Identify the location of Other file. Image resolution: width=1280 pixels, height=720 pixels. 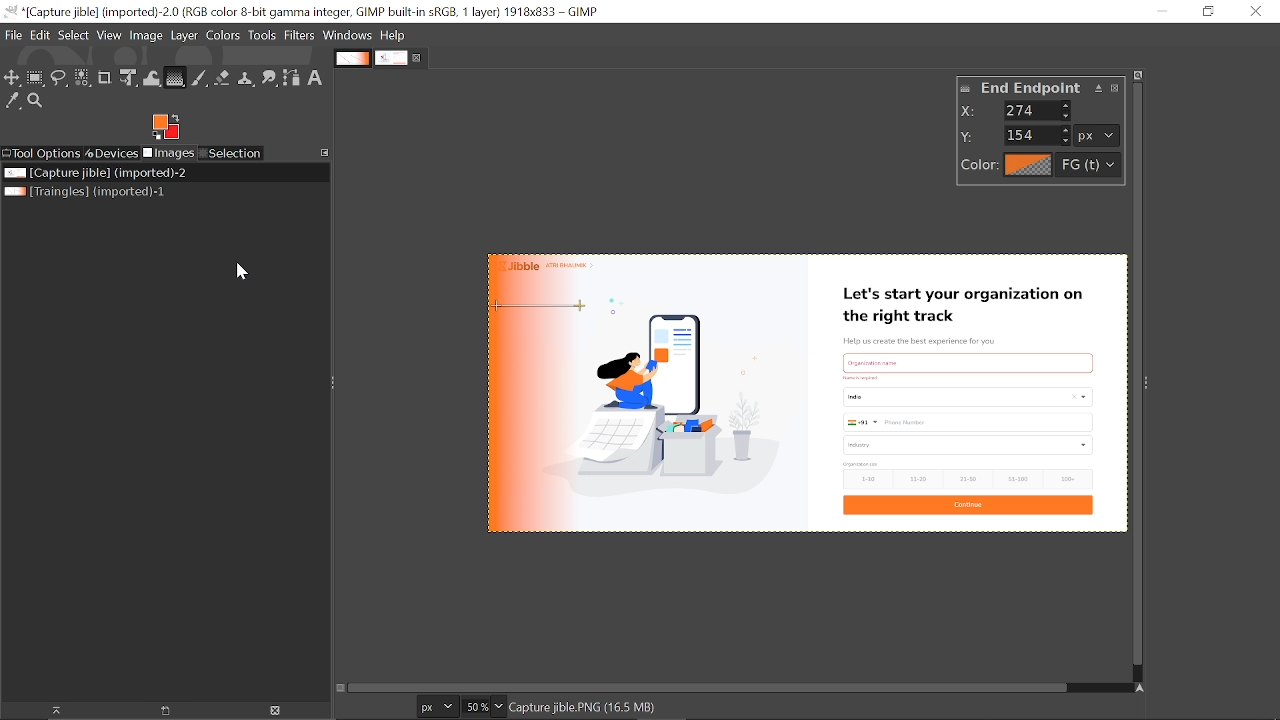
(88, 192).